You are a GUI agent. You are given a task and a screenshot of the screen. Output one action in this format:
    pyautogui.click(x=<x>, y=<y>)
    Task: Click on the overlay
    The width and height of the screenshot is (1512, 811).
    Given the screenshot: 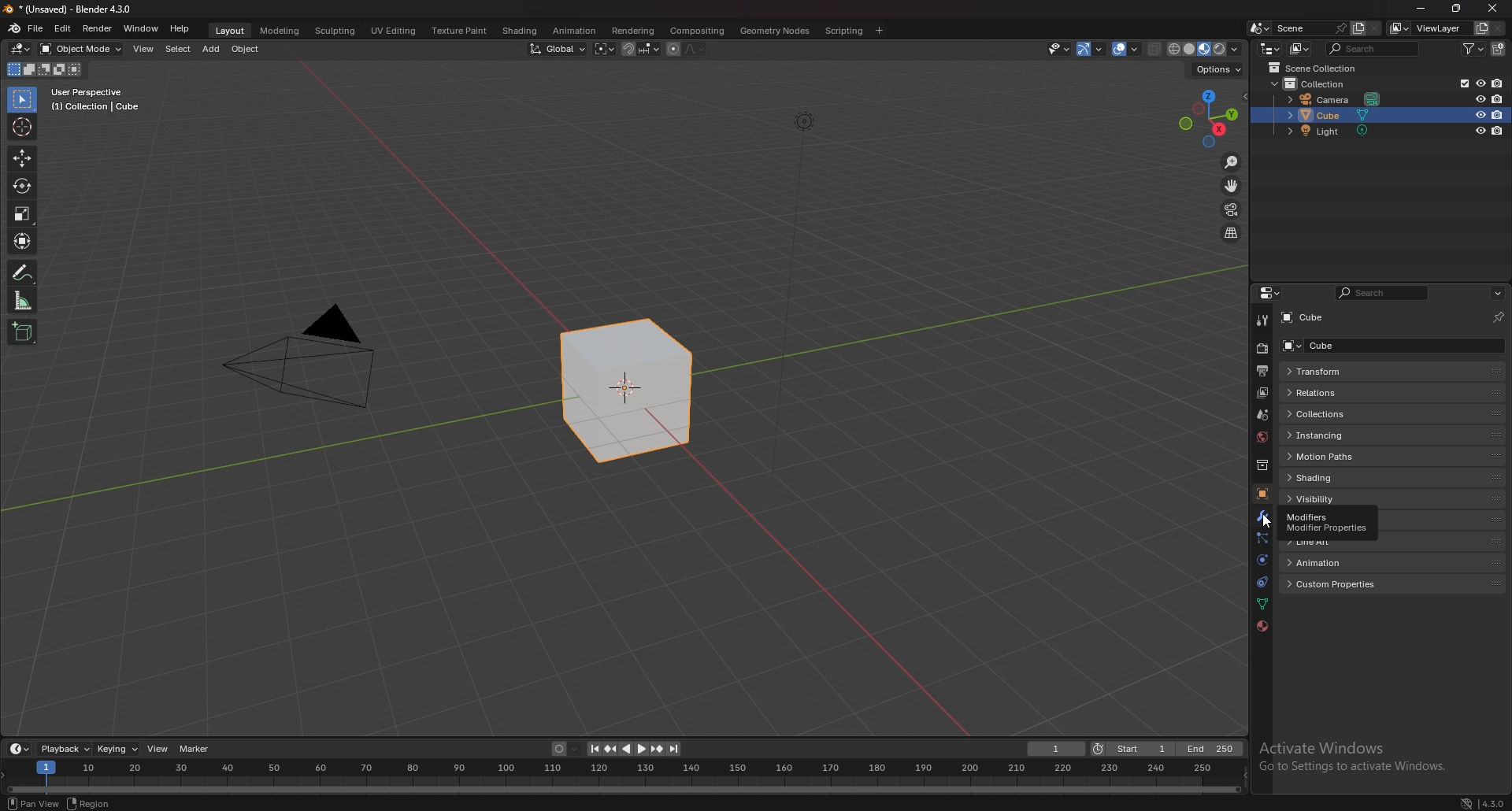 What is the action you would take?
    pyautogui.click(x=1128, y=49)
    